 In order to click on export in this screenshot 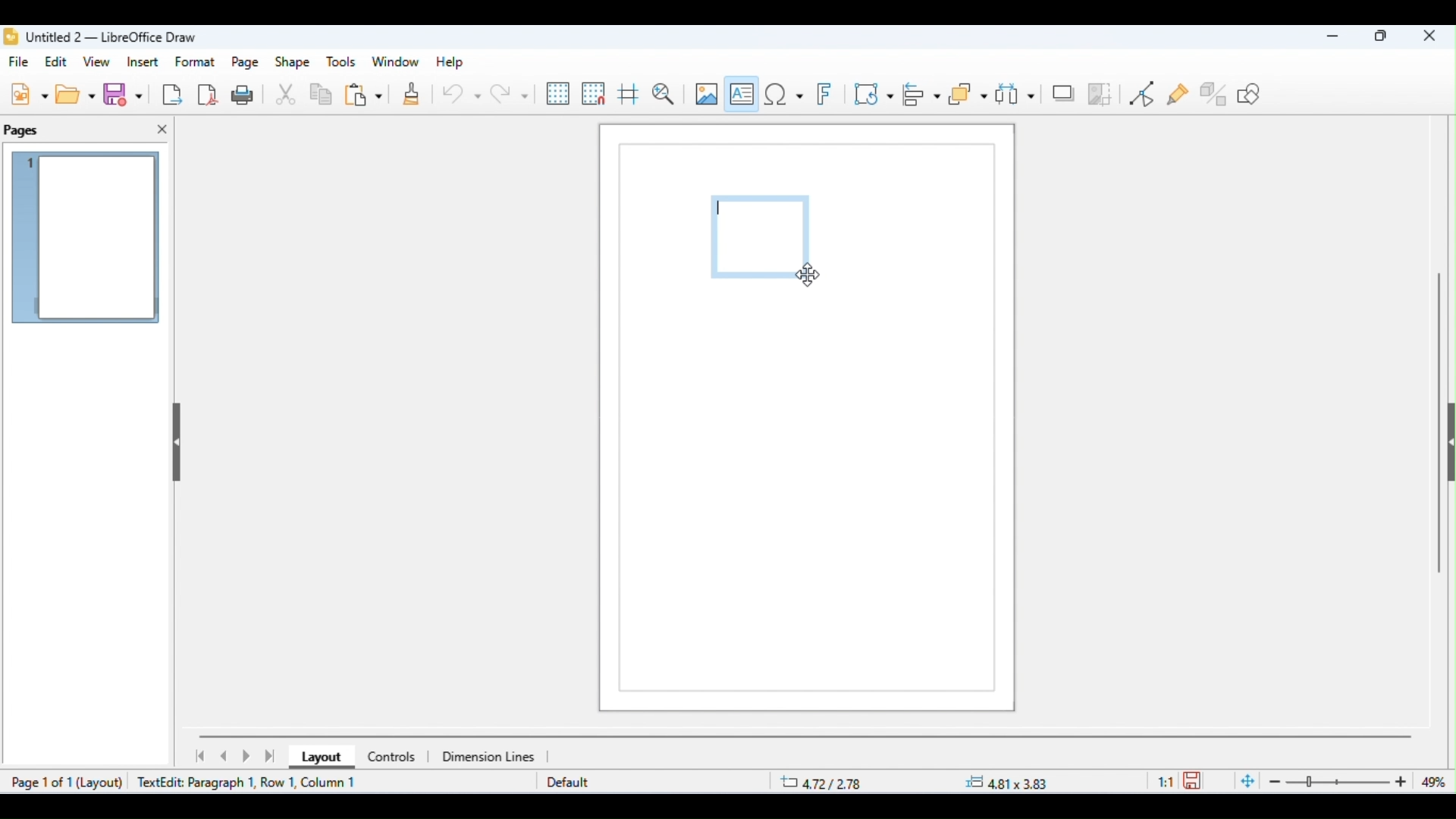, I will do `click(171, 94)`.